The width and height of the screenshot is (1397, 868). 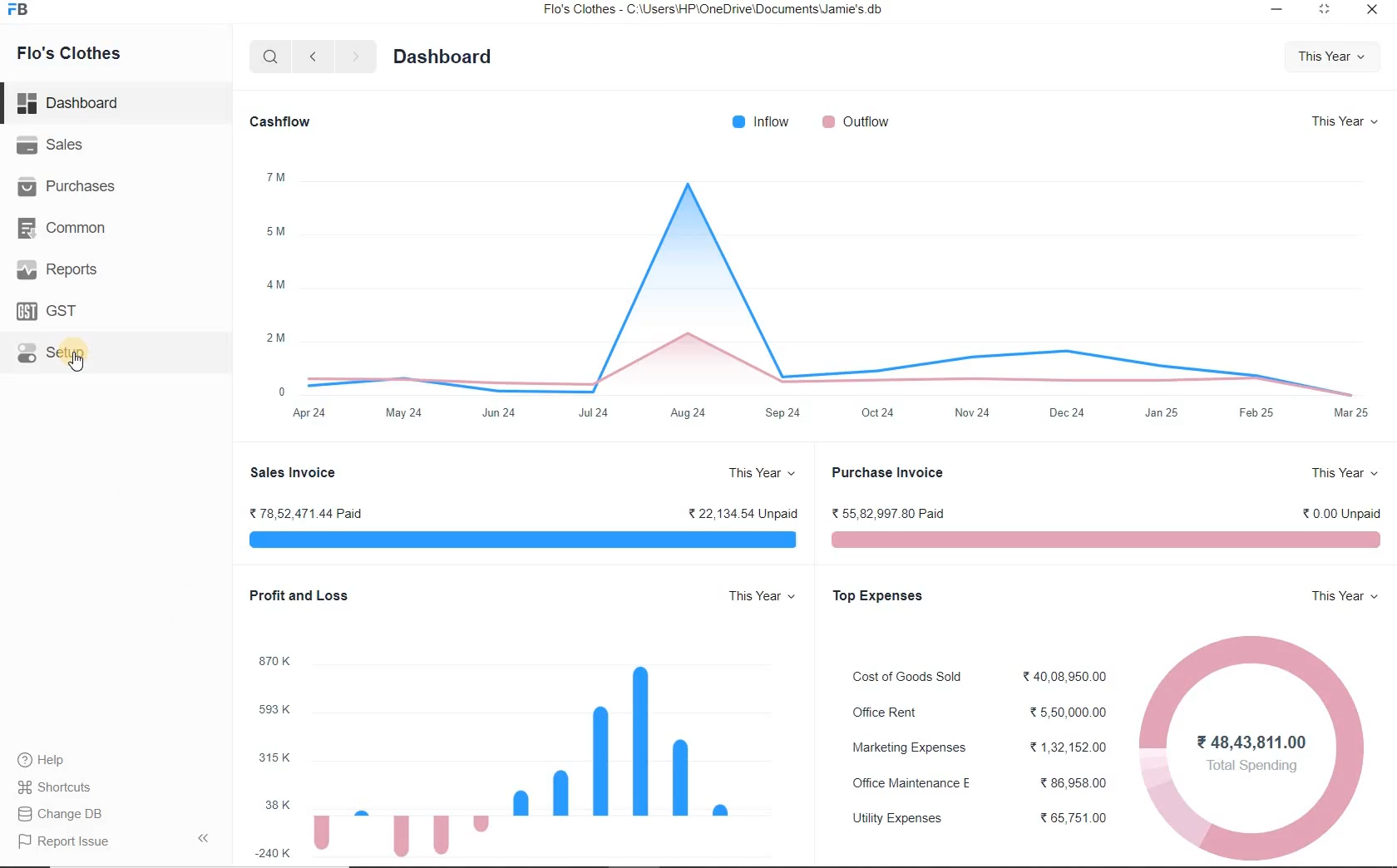 What do you see at coordinates (828, 286) in the screenshot?
I see `graph chart` at bounding box center [828, 286].